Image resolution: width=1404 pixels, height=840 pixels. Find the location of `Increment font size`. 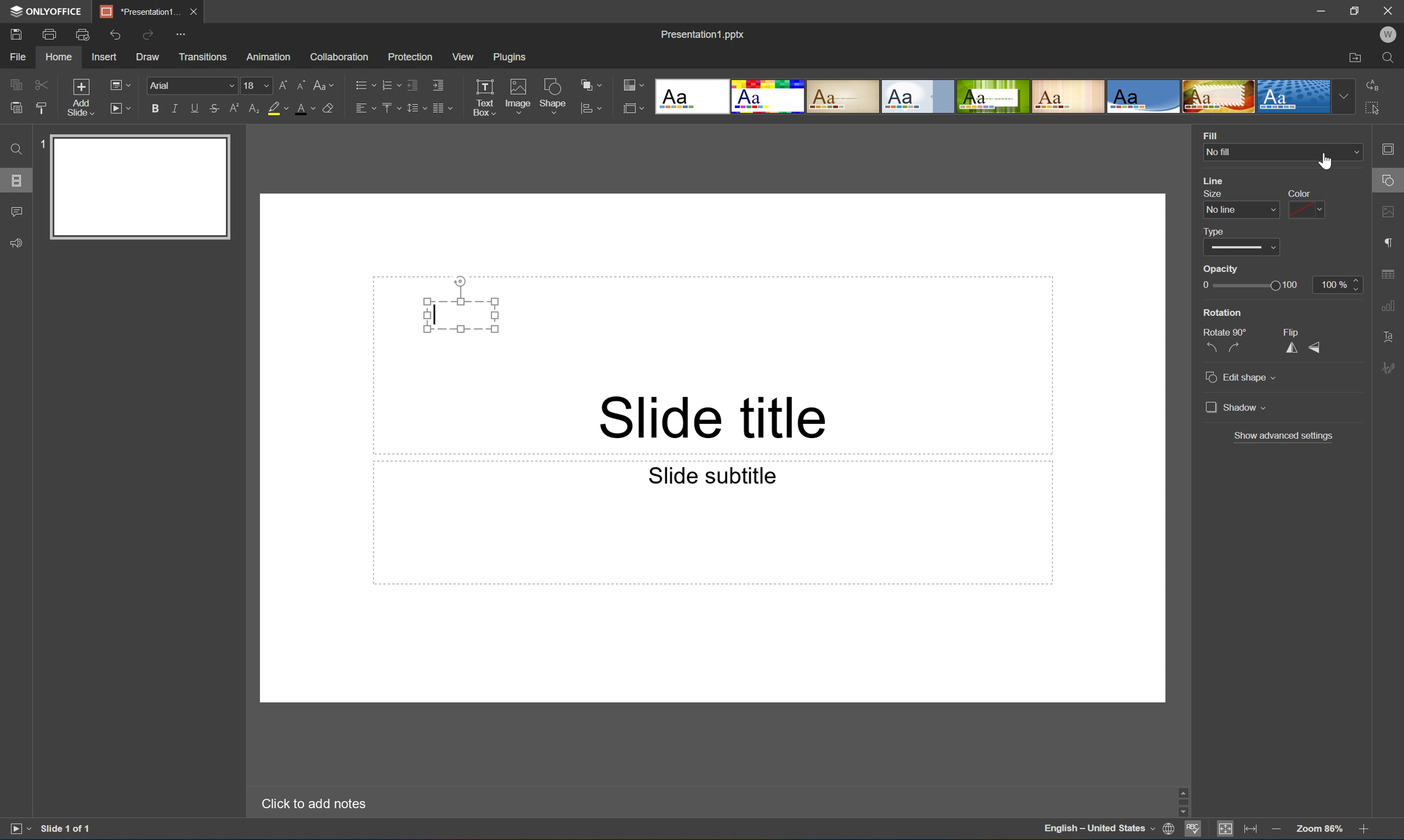

Increment font size is located at coordinates (280, 83).